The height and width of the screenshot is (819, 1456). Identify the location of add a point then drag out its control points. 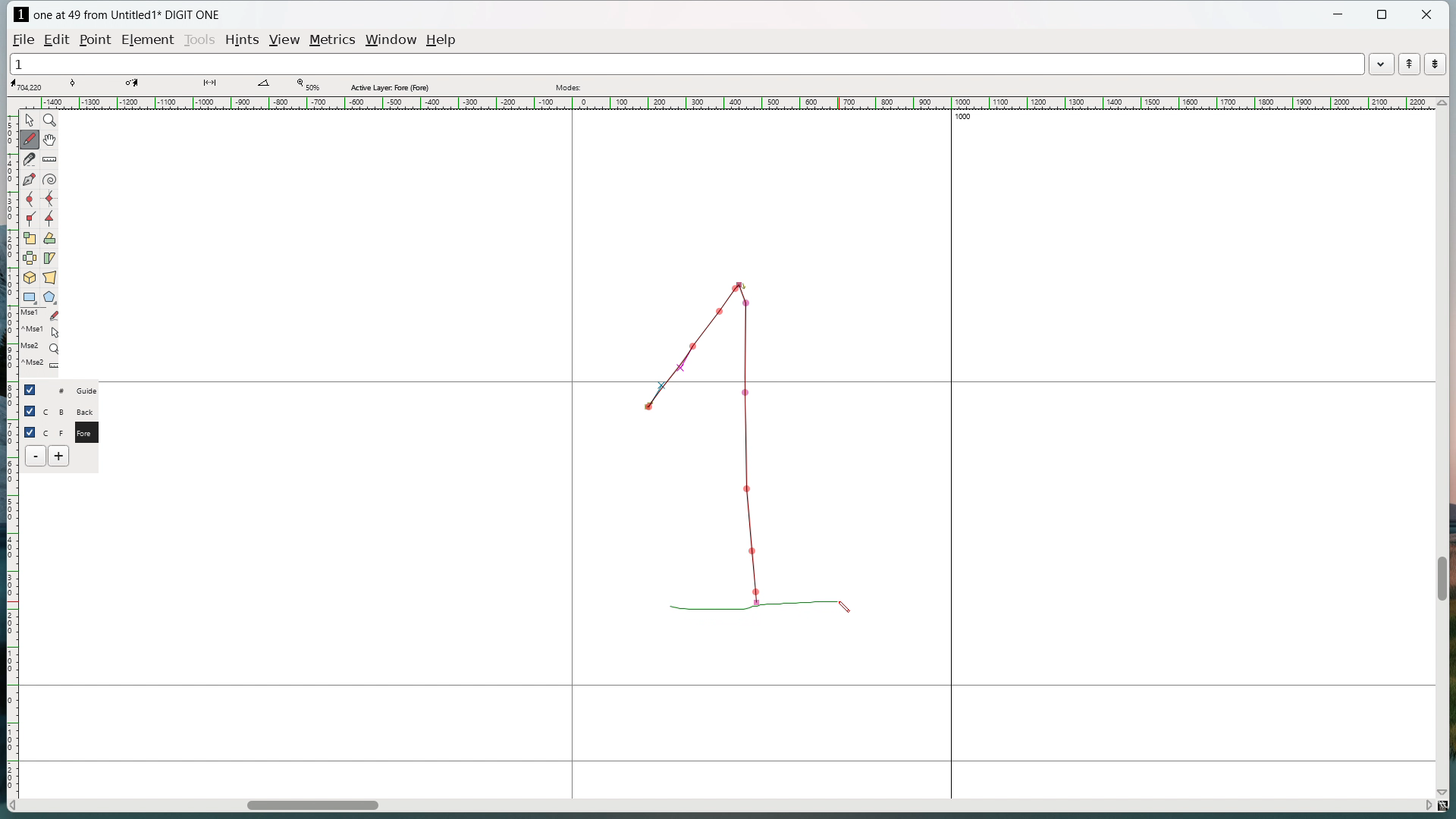
(30, 179).